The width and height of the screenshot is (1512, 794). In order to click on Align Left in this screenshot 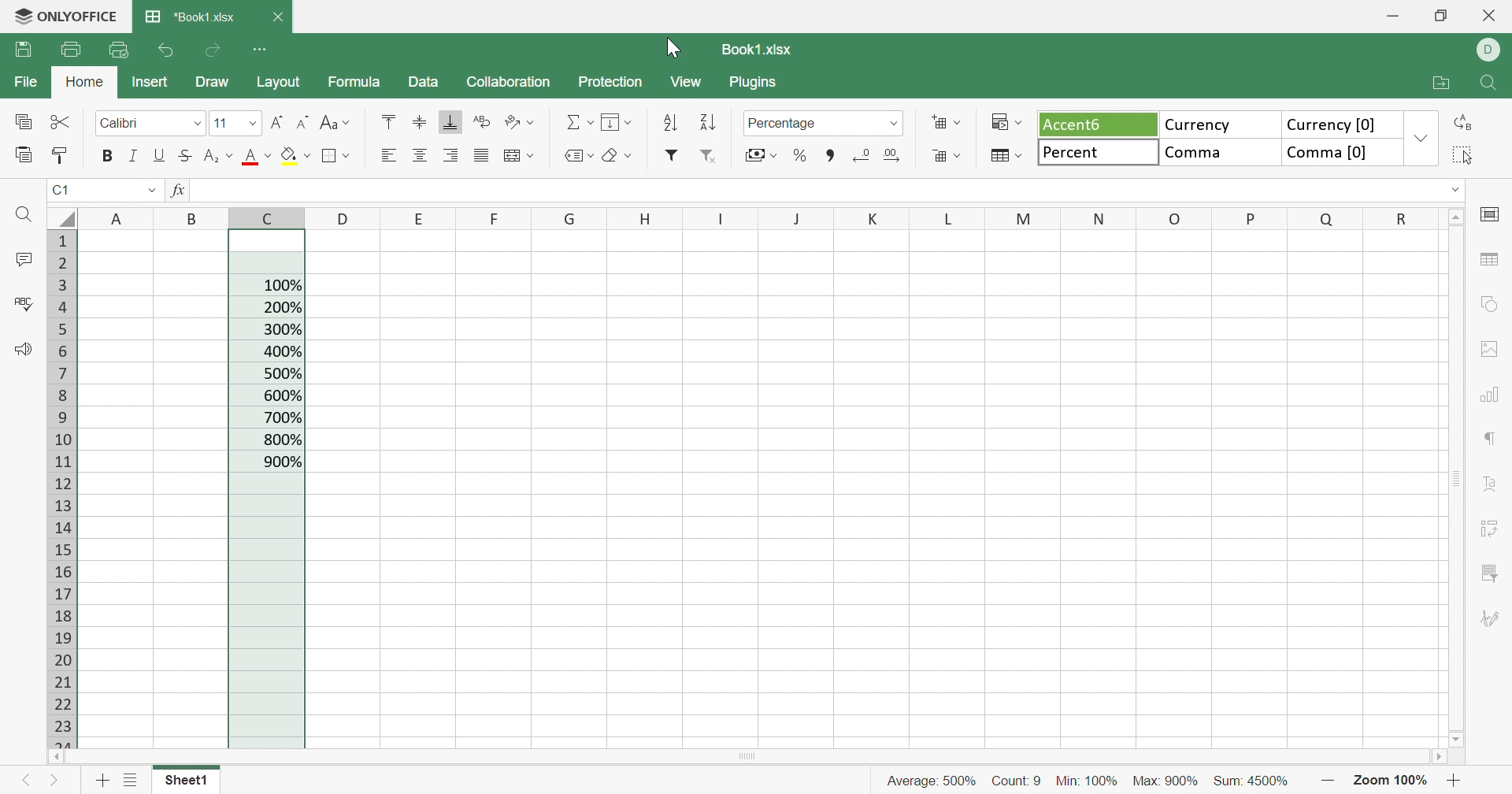, I will do `click(386, 154)`.